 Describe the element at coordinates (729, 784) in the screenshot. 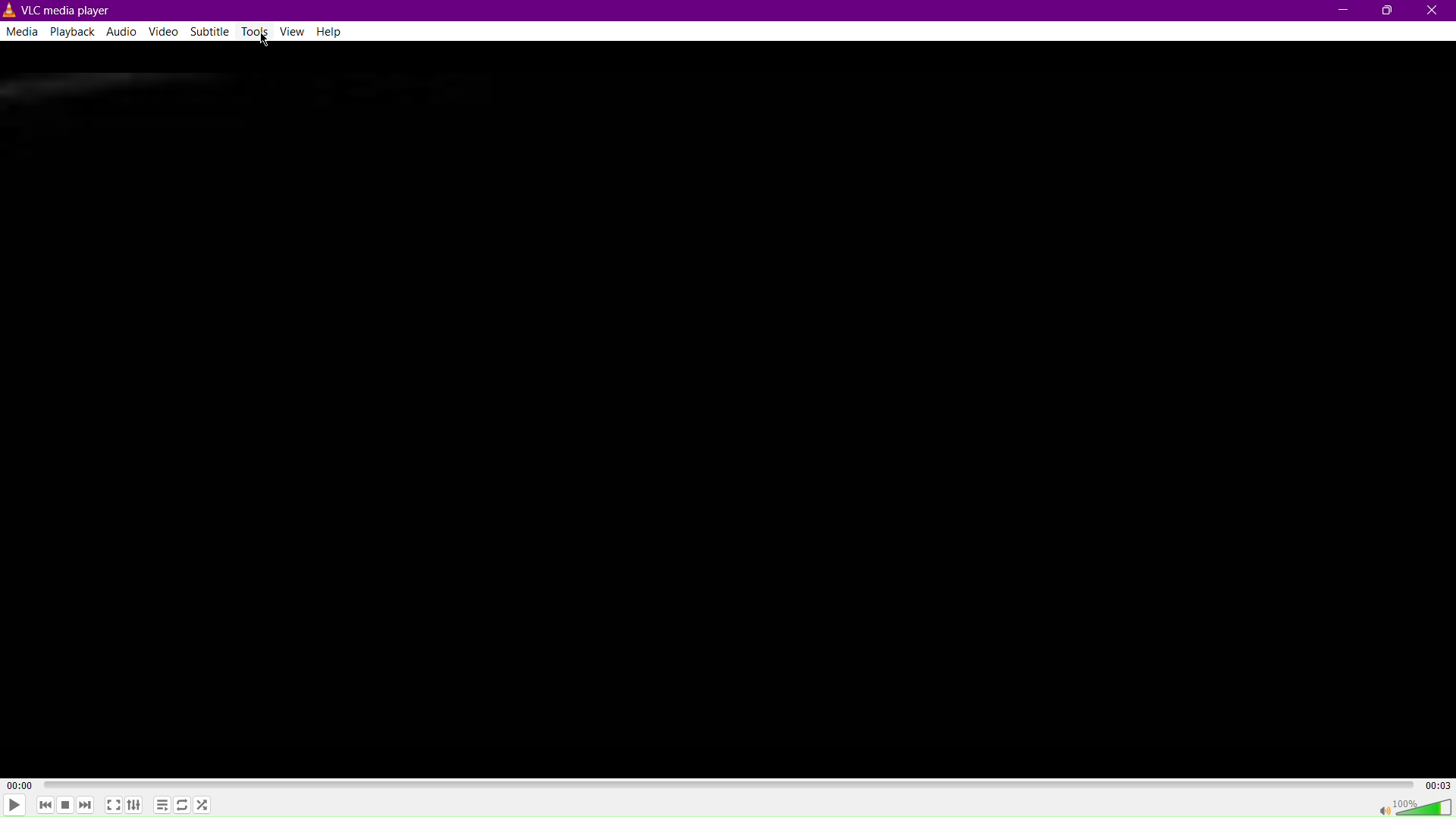

I see `timeline` at that location.